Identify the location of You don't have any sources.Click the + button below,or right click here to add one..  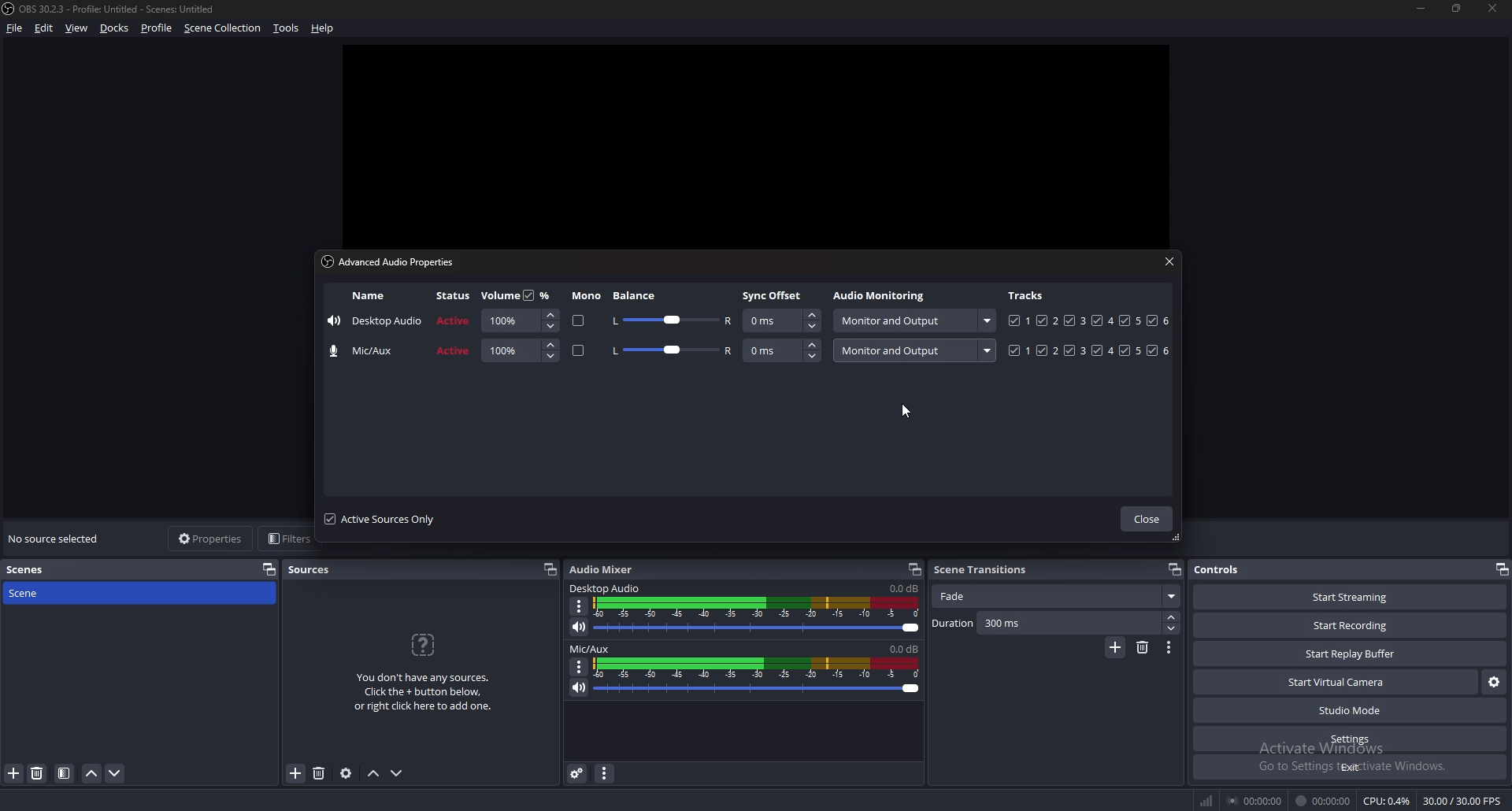
(423, 694).